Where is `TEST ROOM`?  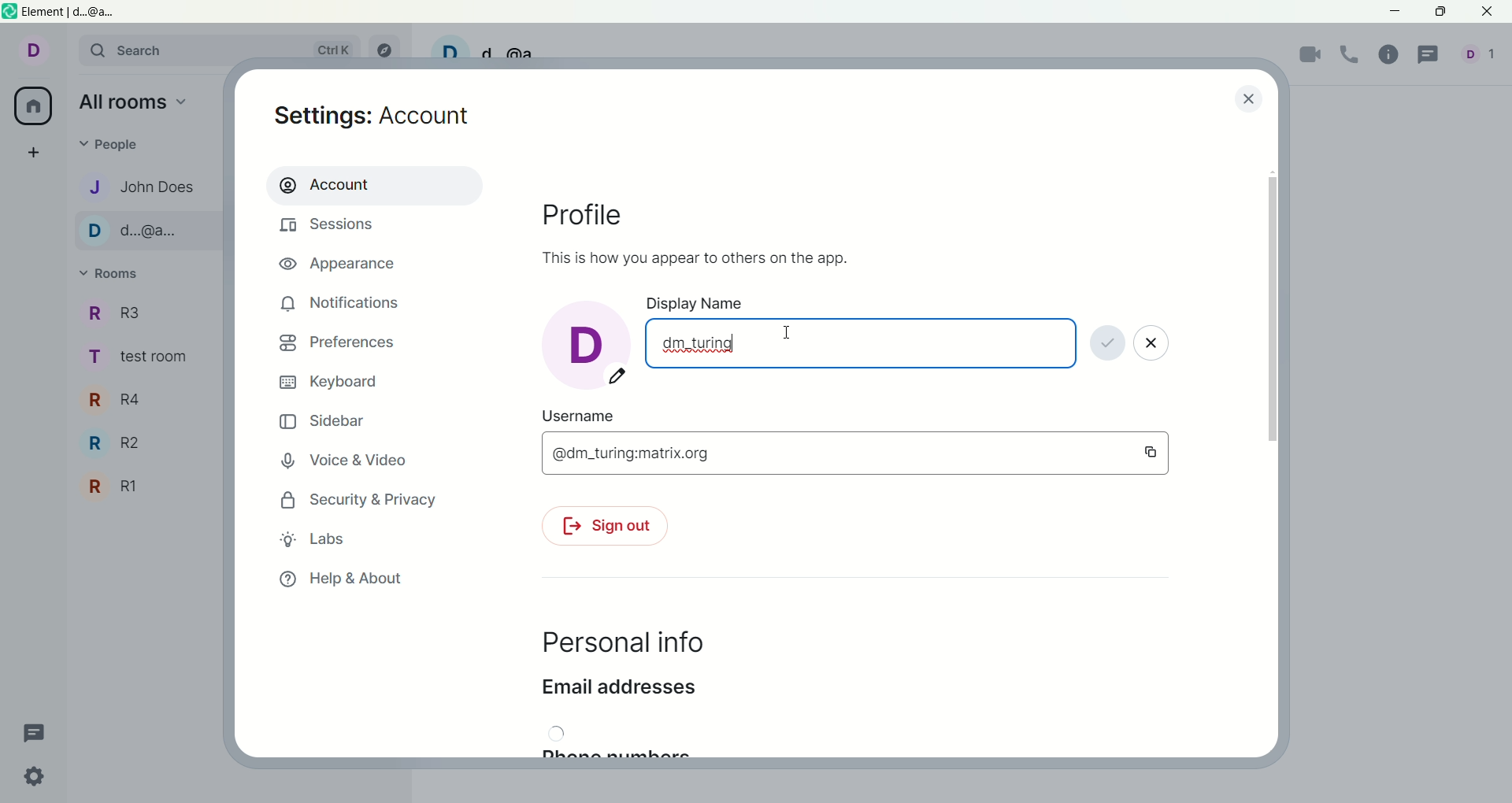 TEST ROOM is located at coordinates (145, 361).